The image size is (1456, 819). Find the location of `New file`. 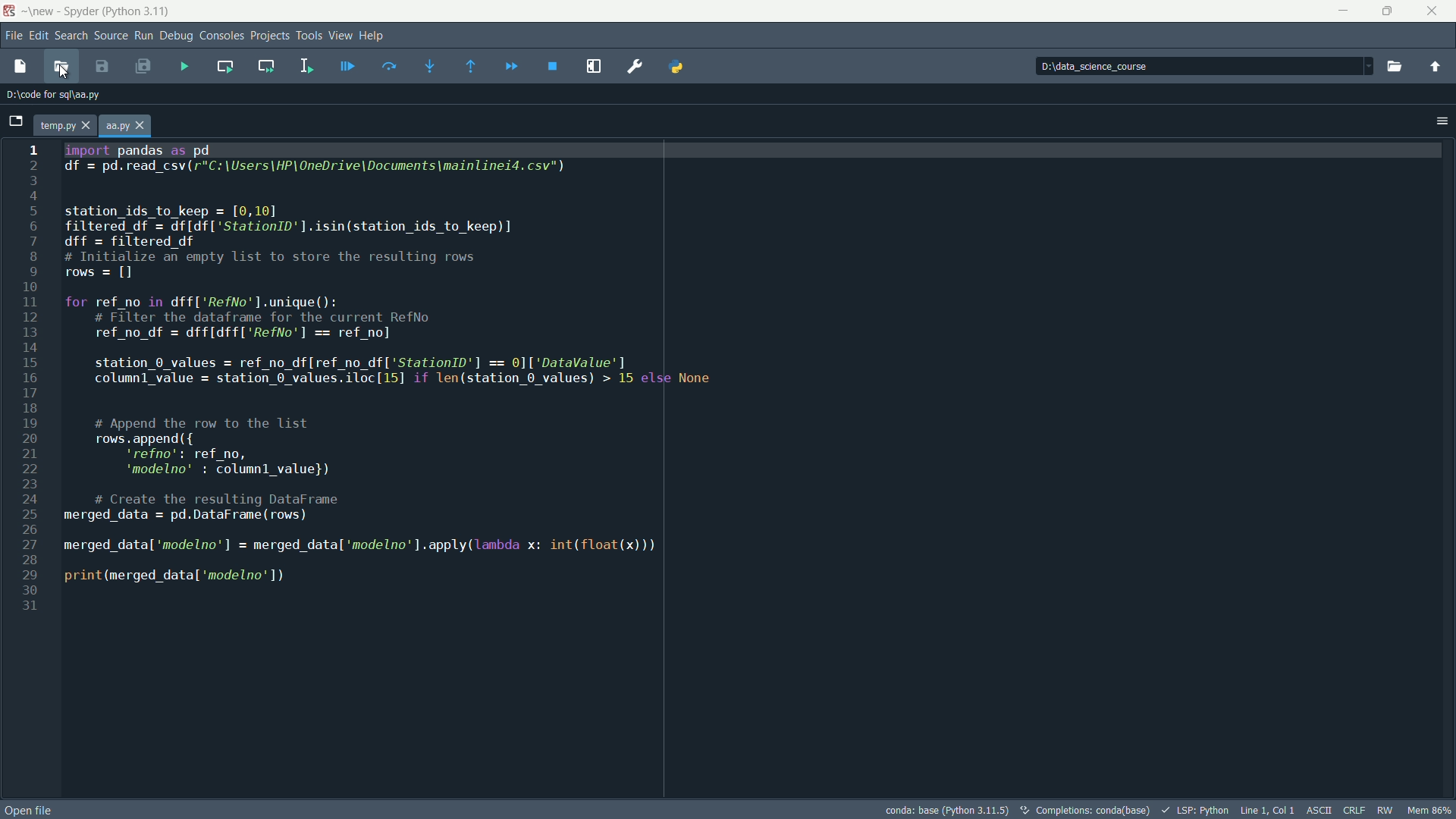

New file is located at coordinates (20, 67).